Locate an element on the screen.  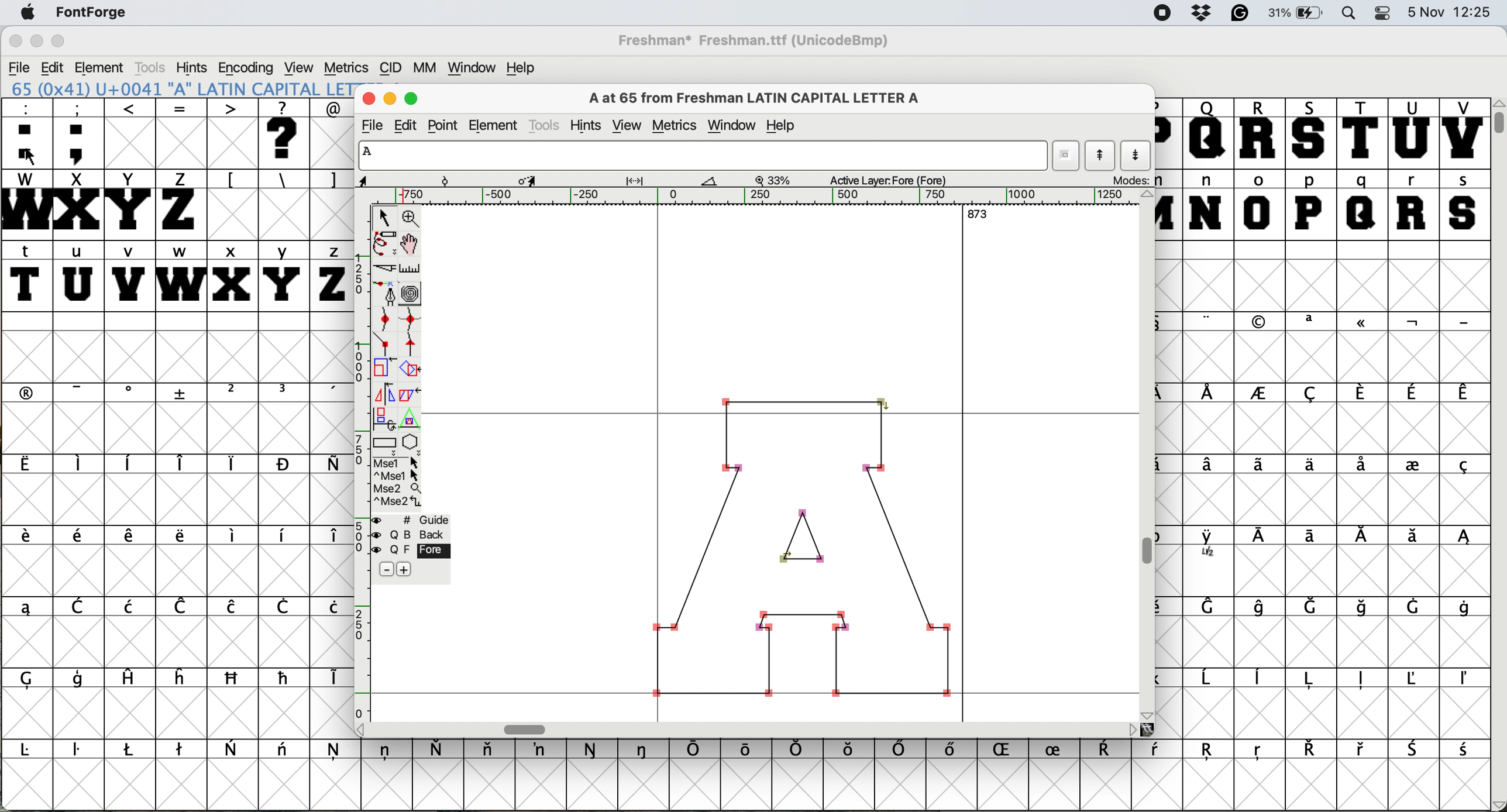
symbol is located at coordinates (1418, 678).